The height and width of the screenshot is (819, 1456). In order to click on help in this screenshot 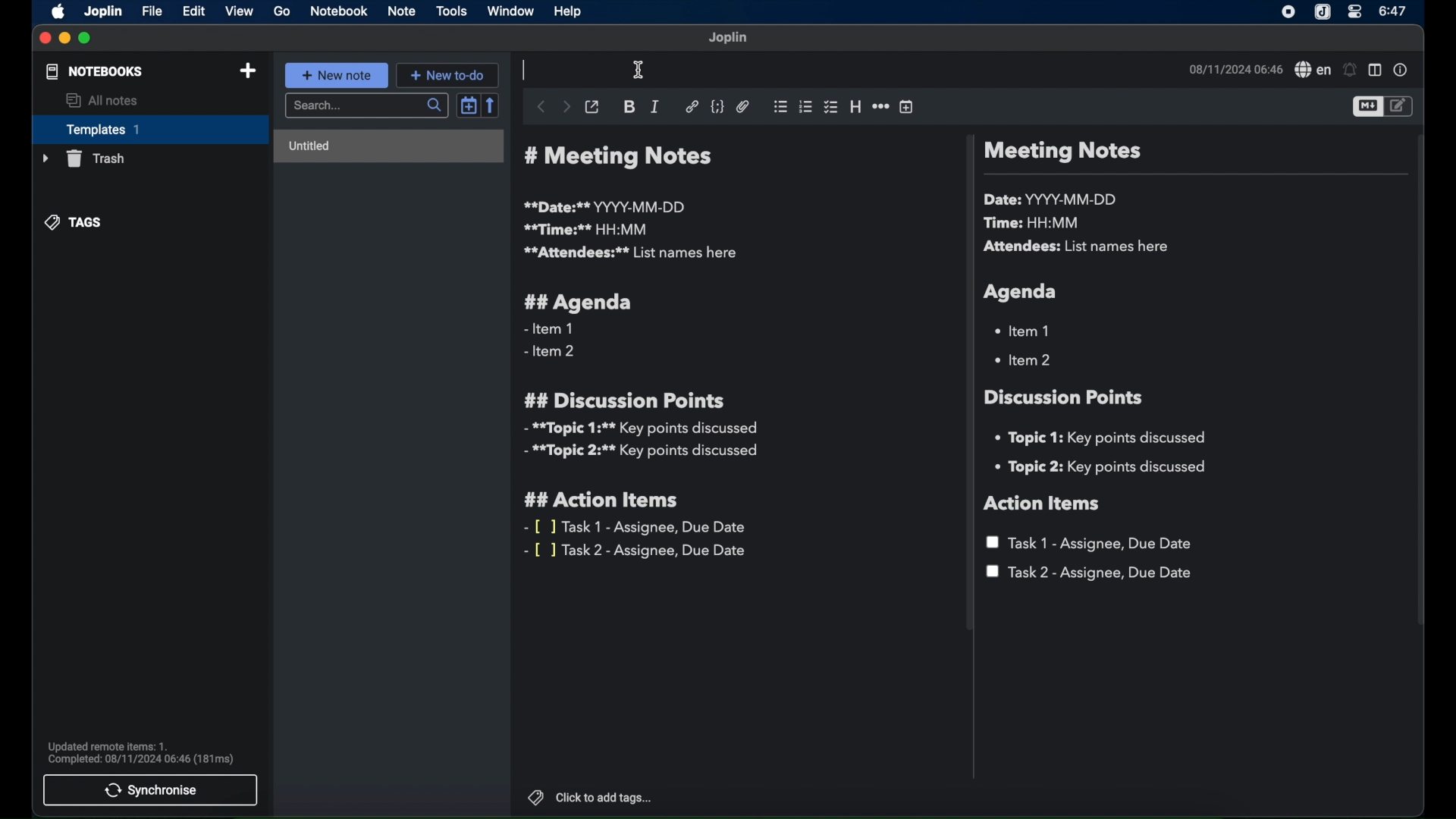, I will do `click(566, 10)`.